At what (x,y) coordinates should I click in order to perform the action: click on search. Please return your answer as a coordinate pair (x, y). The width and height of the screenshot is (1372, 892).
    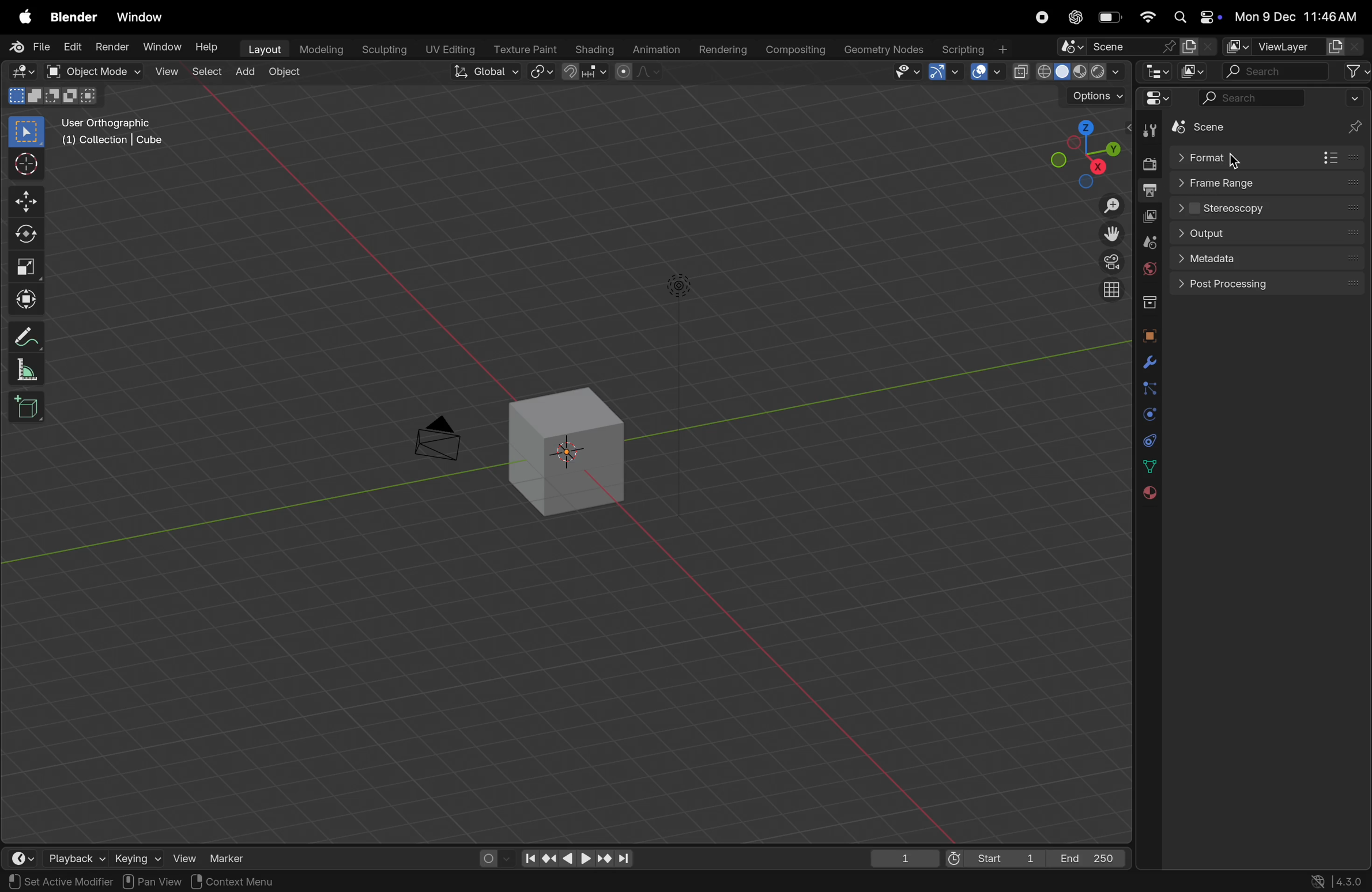
    Looking at the image, I should click on (1276, 71).